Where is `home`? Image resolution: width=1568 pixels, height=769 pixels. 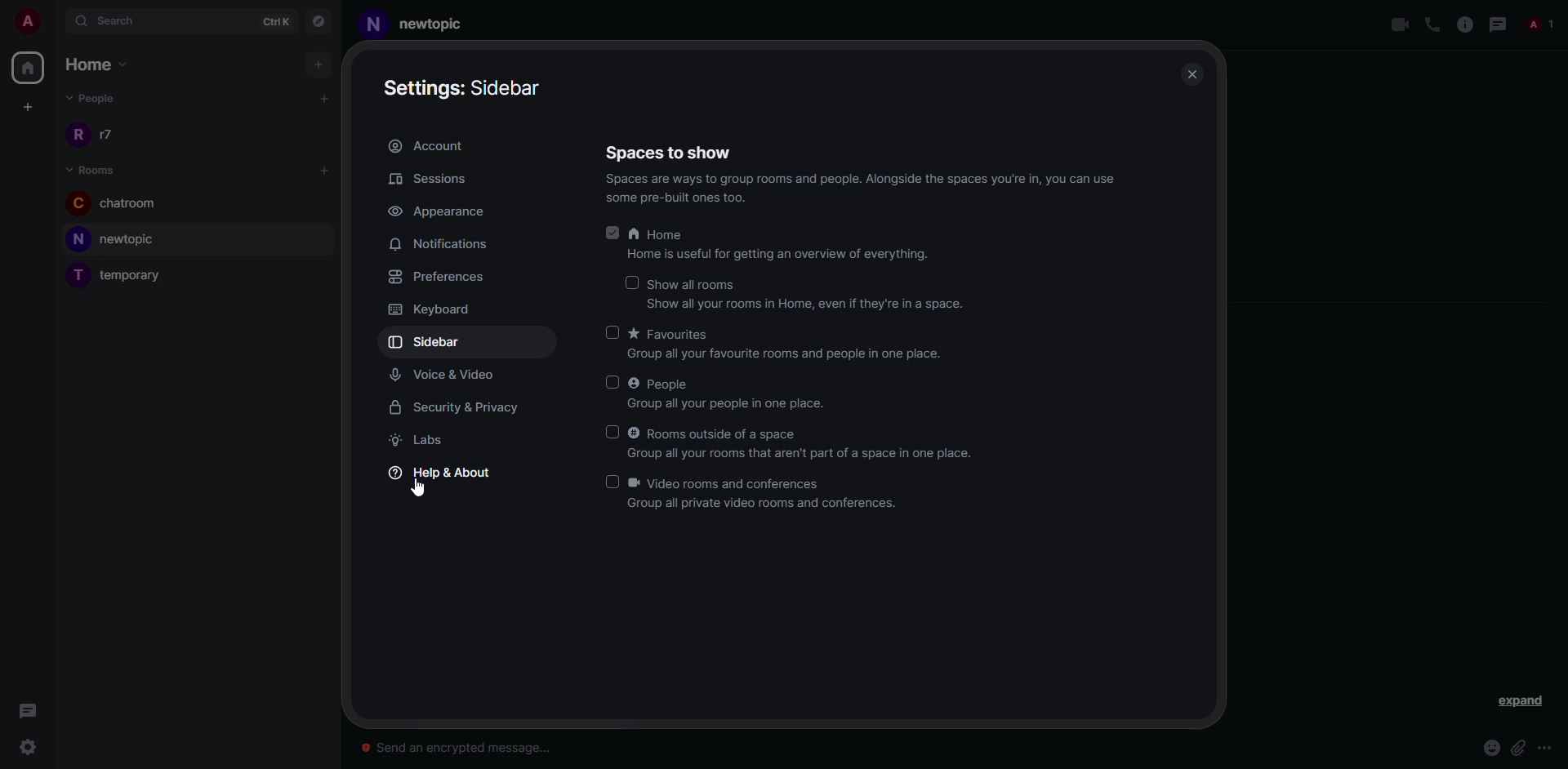 home is located at coordinates (658, 236).